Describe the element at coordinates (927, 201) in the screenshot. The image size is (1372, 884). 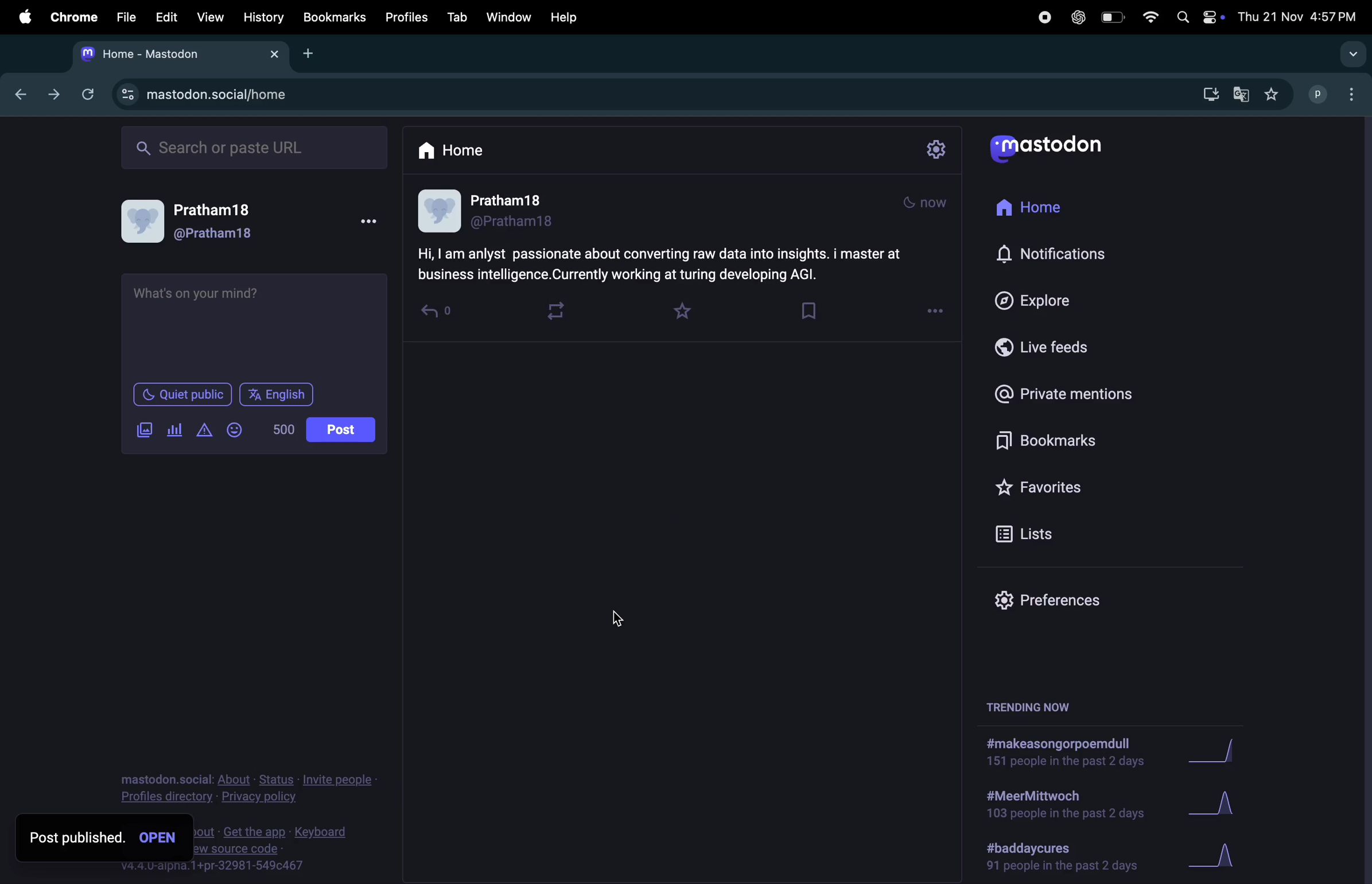
I see `mode` at that location.